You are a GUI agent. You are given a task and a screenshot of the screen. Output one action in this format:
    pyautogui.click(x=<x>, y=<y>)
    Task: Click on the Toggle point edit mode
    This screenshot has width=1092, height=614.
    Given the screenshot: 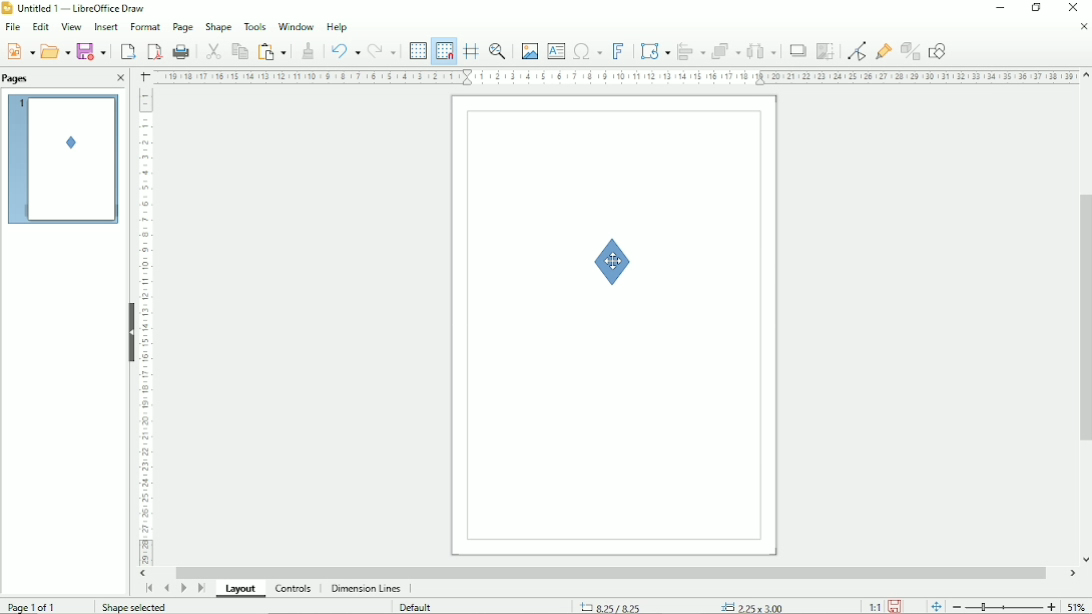 What is the action you would take?
    pyautogui.click(x=854, y=49)
    